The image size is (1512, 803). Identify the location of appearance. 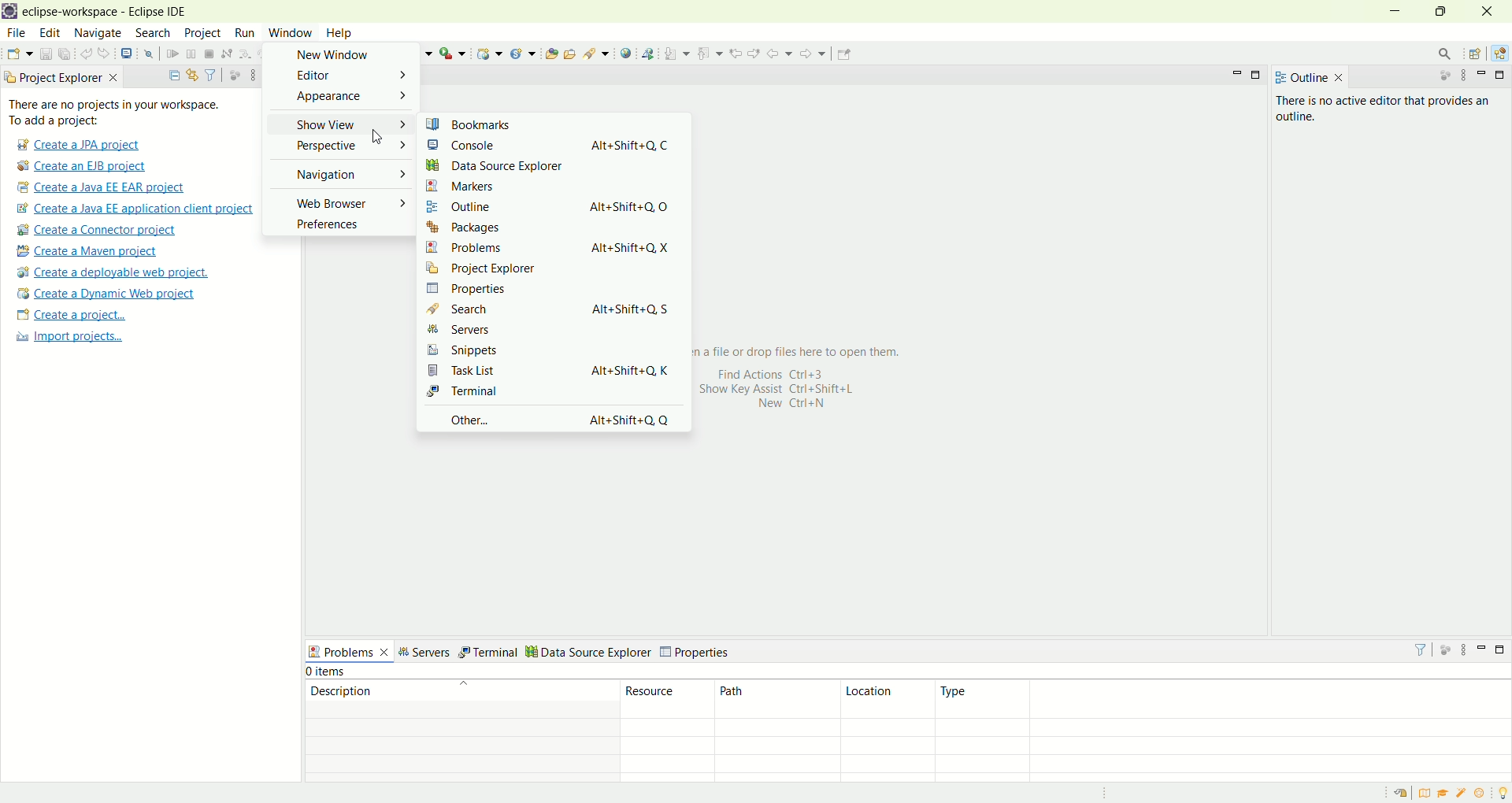
(341, 101).